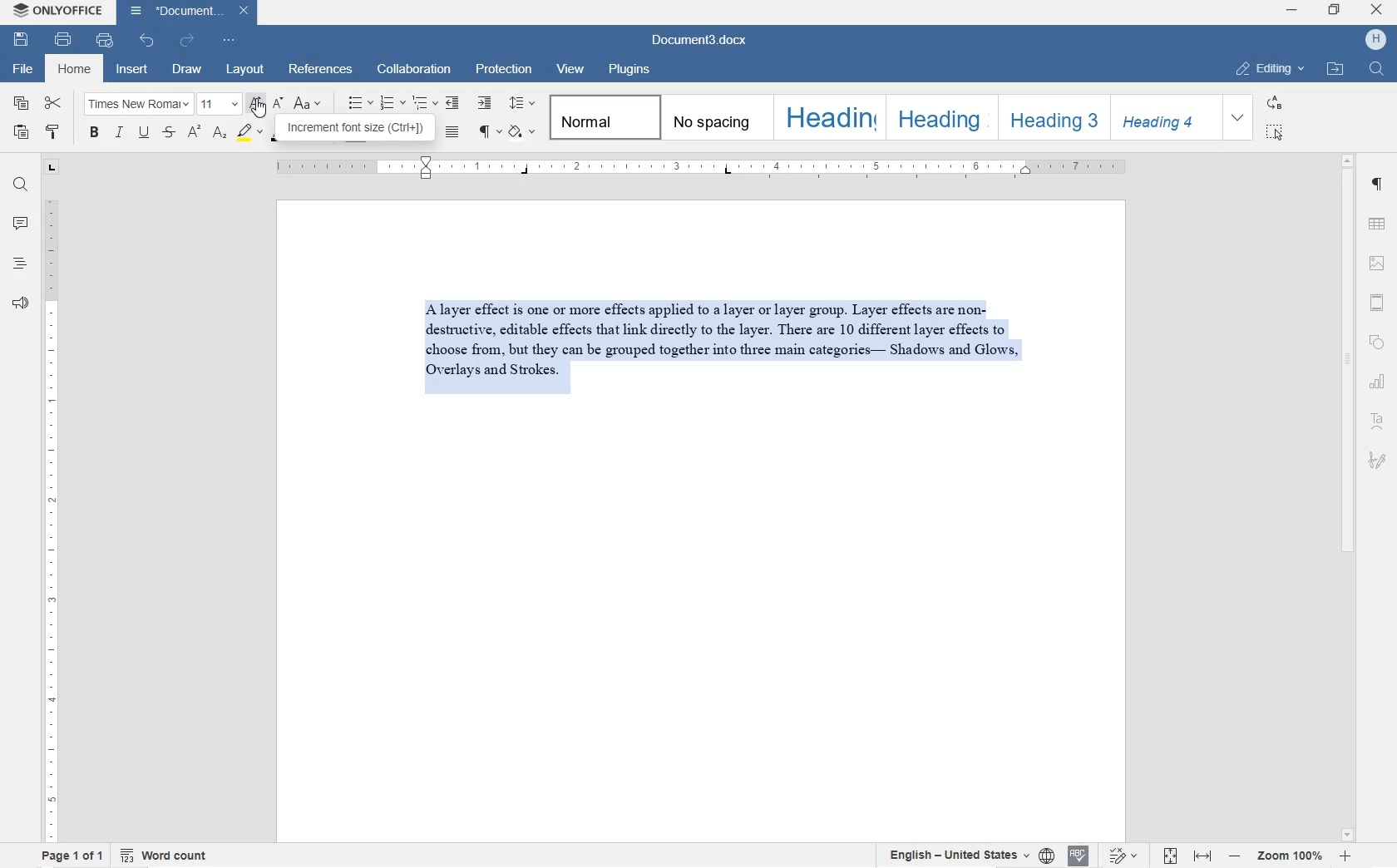 Image resolution: width=1397 pixels, height=868 pixels. Describe the element at coordinates (47, 520) in the screenshot. I see `ruler` at that location.